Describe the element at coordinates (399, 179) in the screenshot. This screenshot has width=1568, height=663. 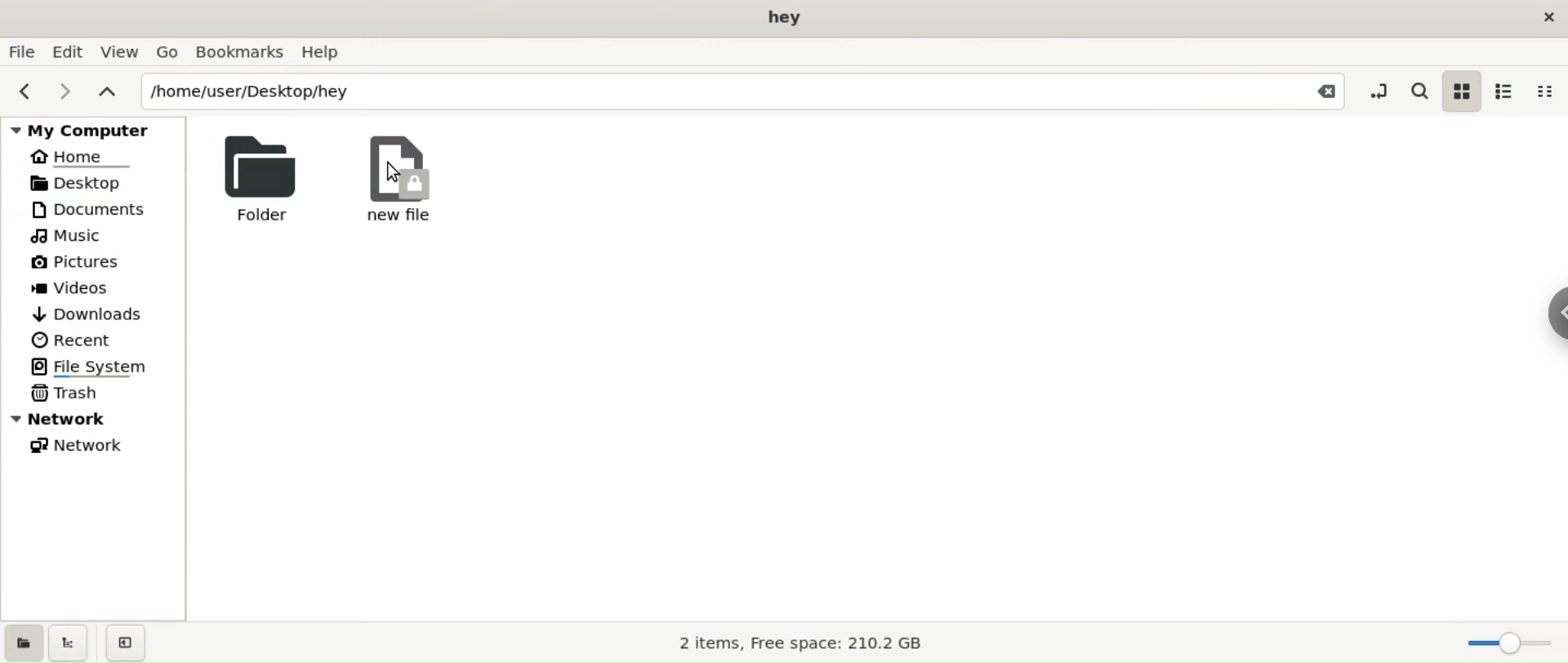
I see `new file` at that location.